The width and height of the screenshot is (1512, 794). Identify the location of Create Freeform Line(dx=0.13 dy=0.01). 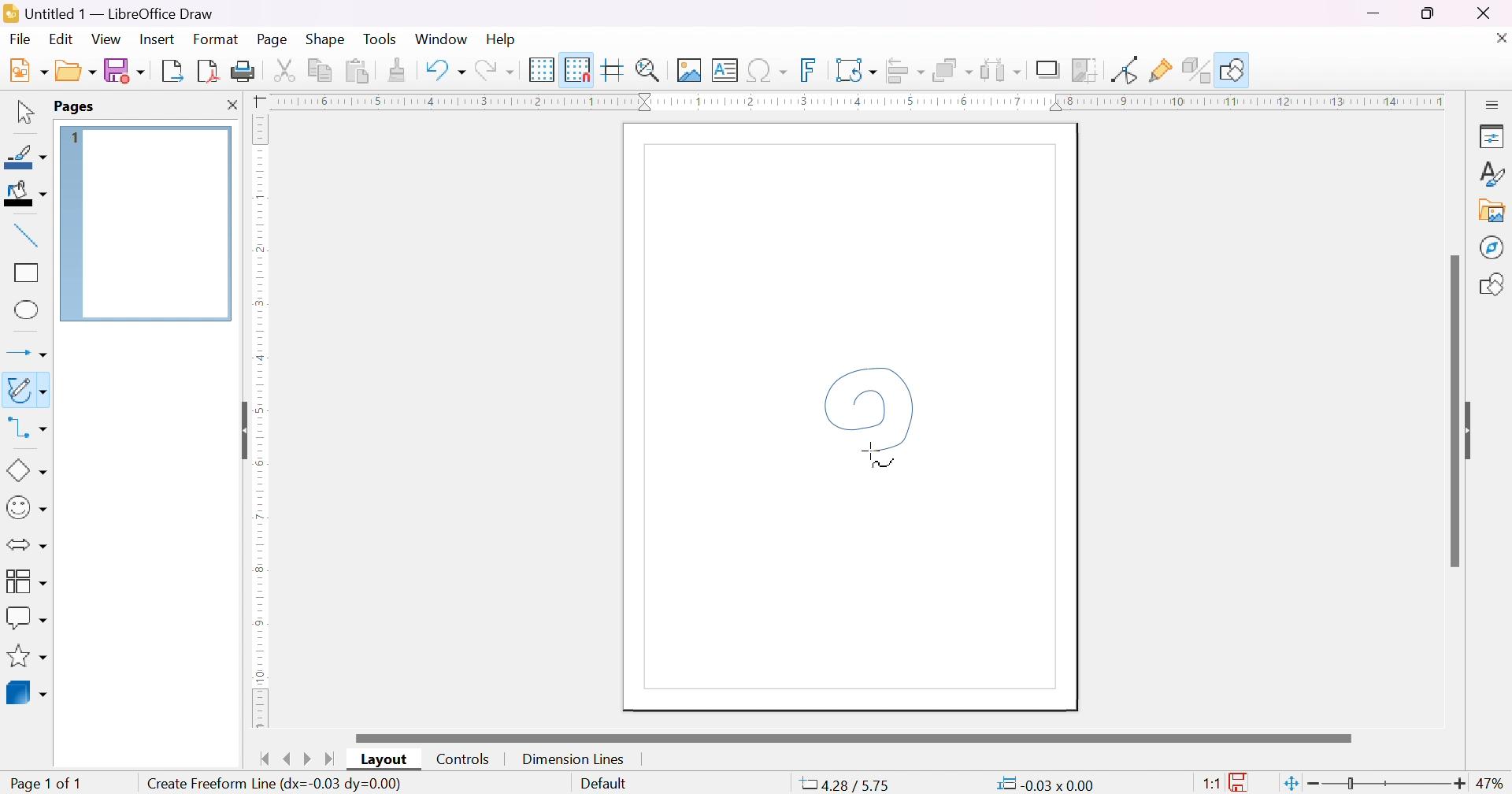
(275, 781).